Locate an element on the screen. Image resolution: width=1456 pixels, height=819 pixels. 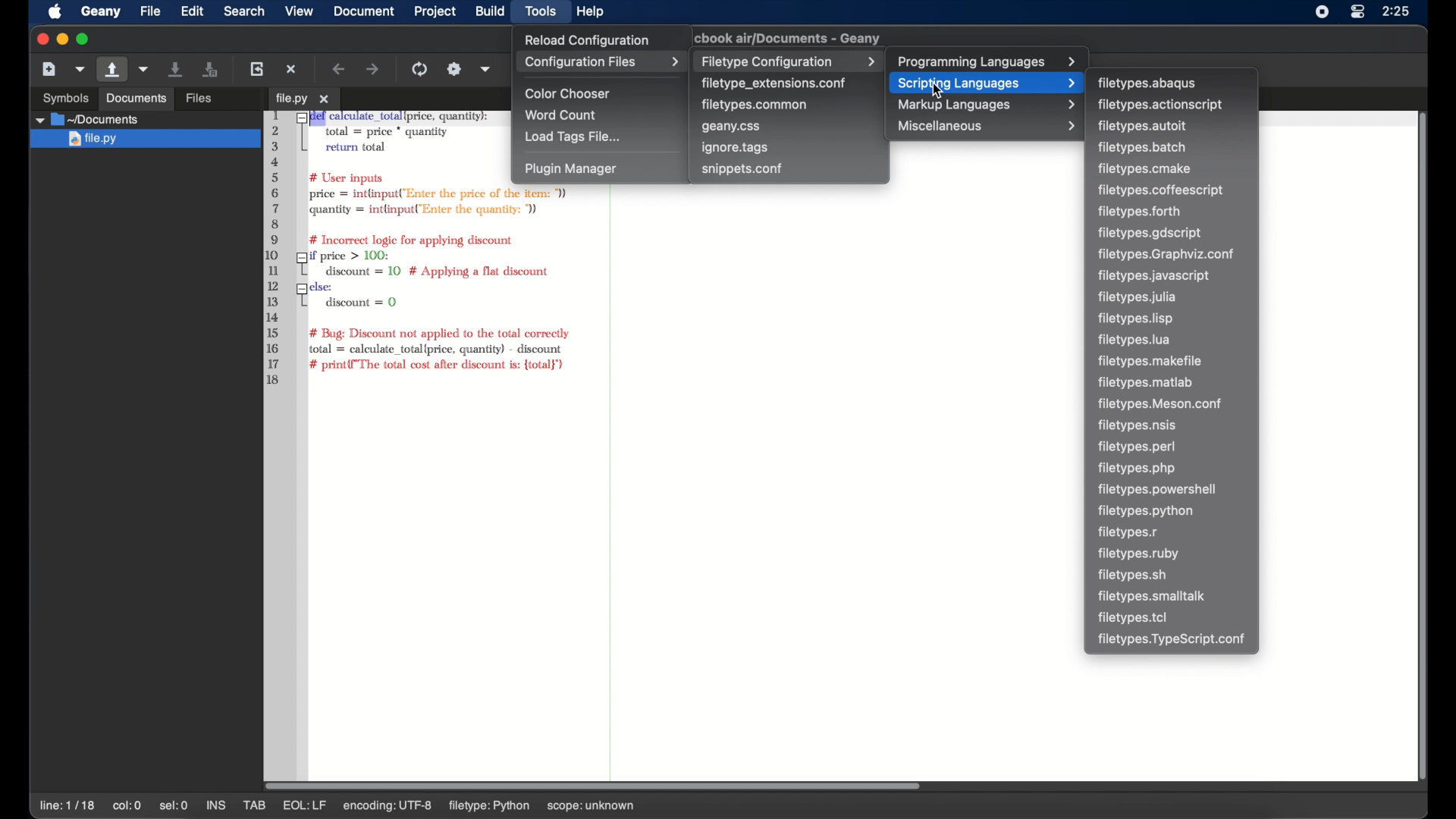
filetypes is located at coordinates (1137, 297).